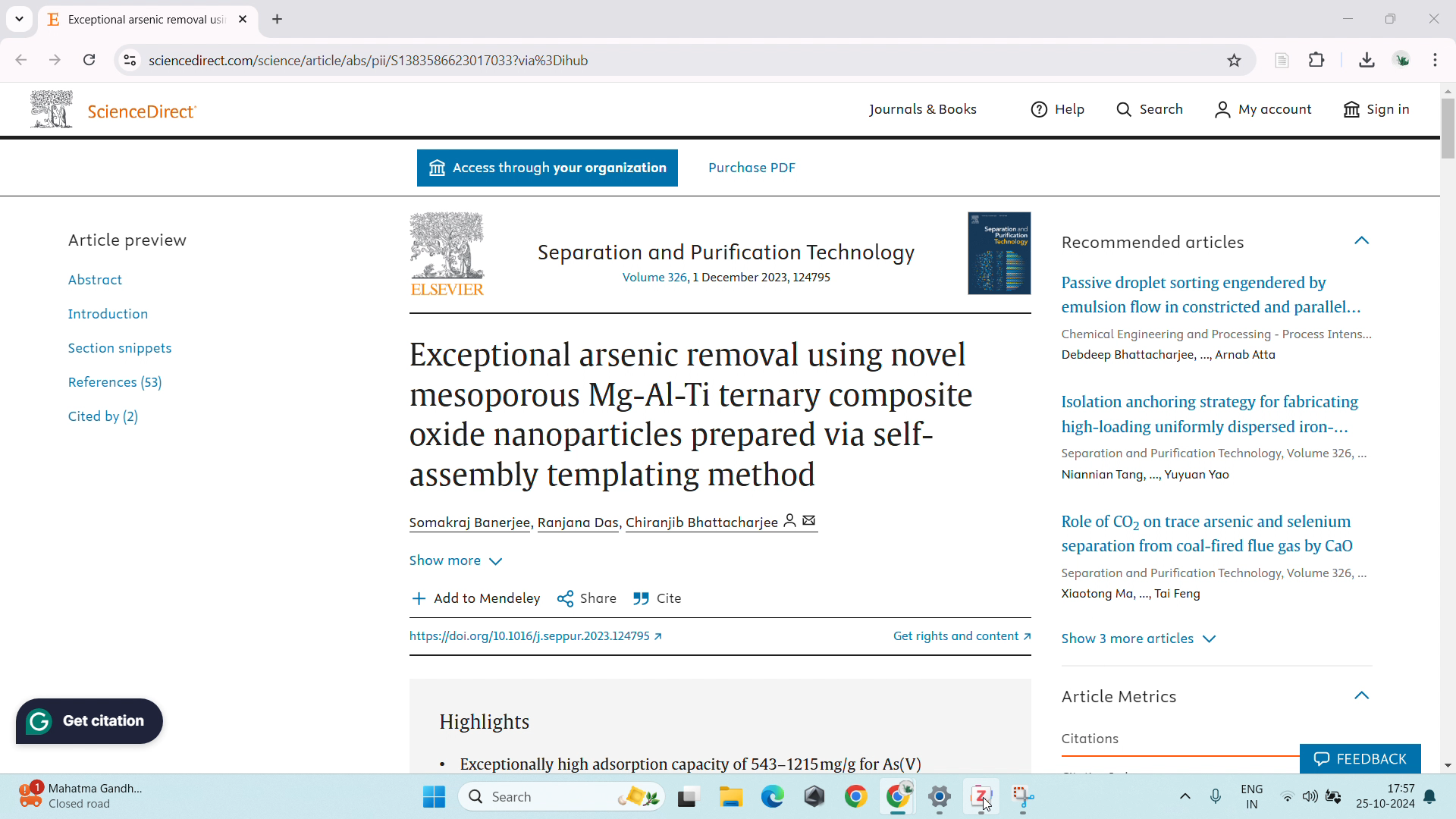 The width and height of the screenshot is (1456, 819). I want to click on Cited by (2), so click(105, 419).